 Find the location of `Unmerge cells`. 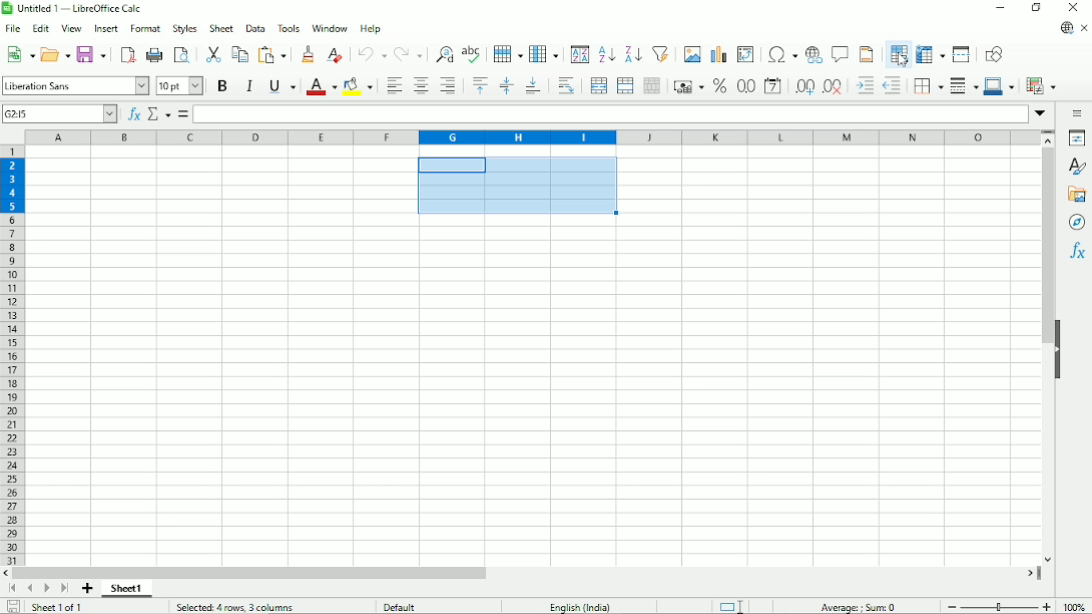

Unmerge cells is located at coordinates (652, 86).